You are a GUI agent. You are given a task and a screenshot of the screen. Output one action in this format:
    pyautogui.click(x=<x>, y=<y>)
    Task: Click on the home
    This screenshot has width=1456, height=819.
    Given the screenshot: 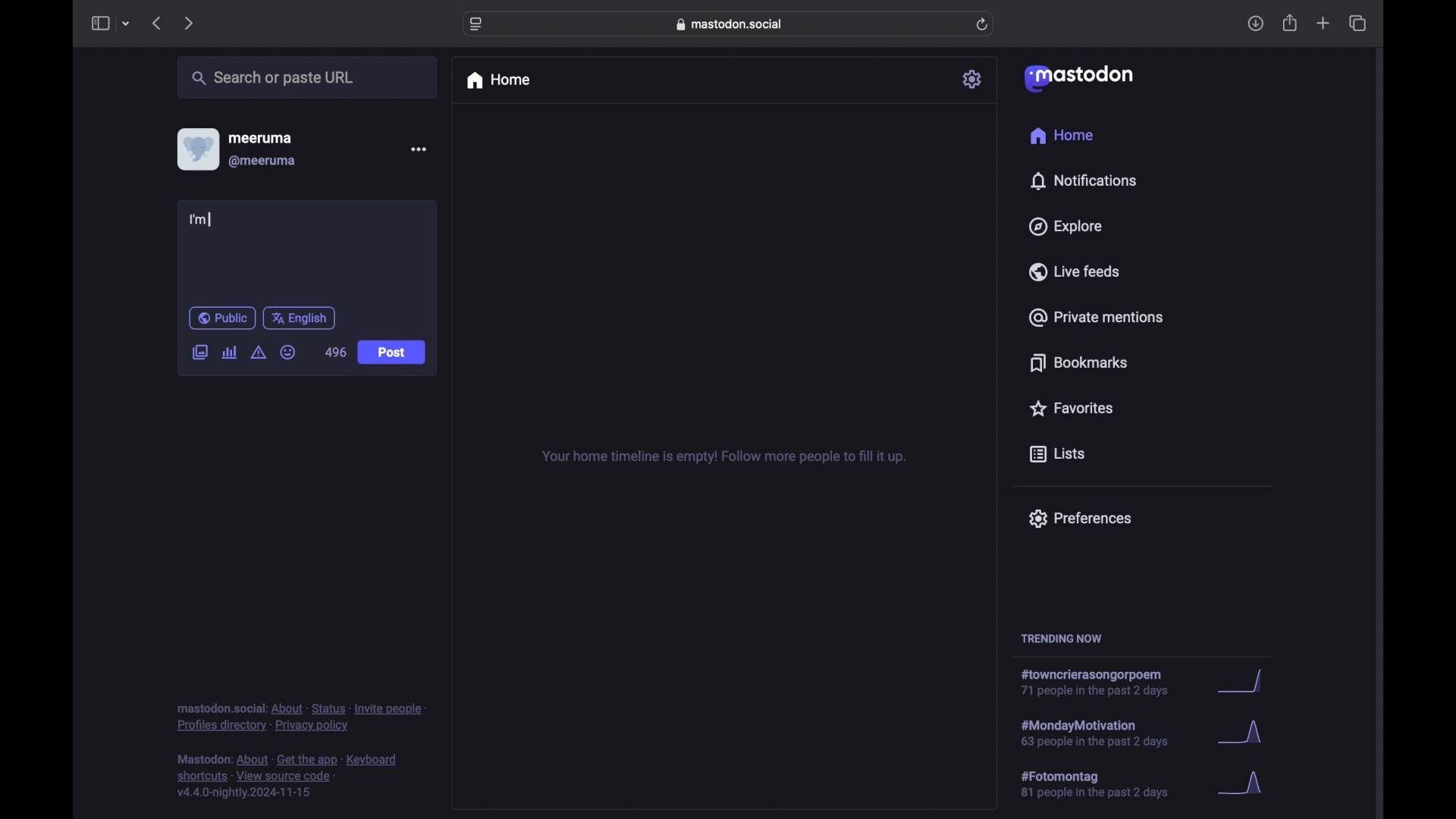 What is the action you would take?
    pyautogui.click(x=497, y=80)
    